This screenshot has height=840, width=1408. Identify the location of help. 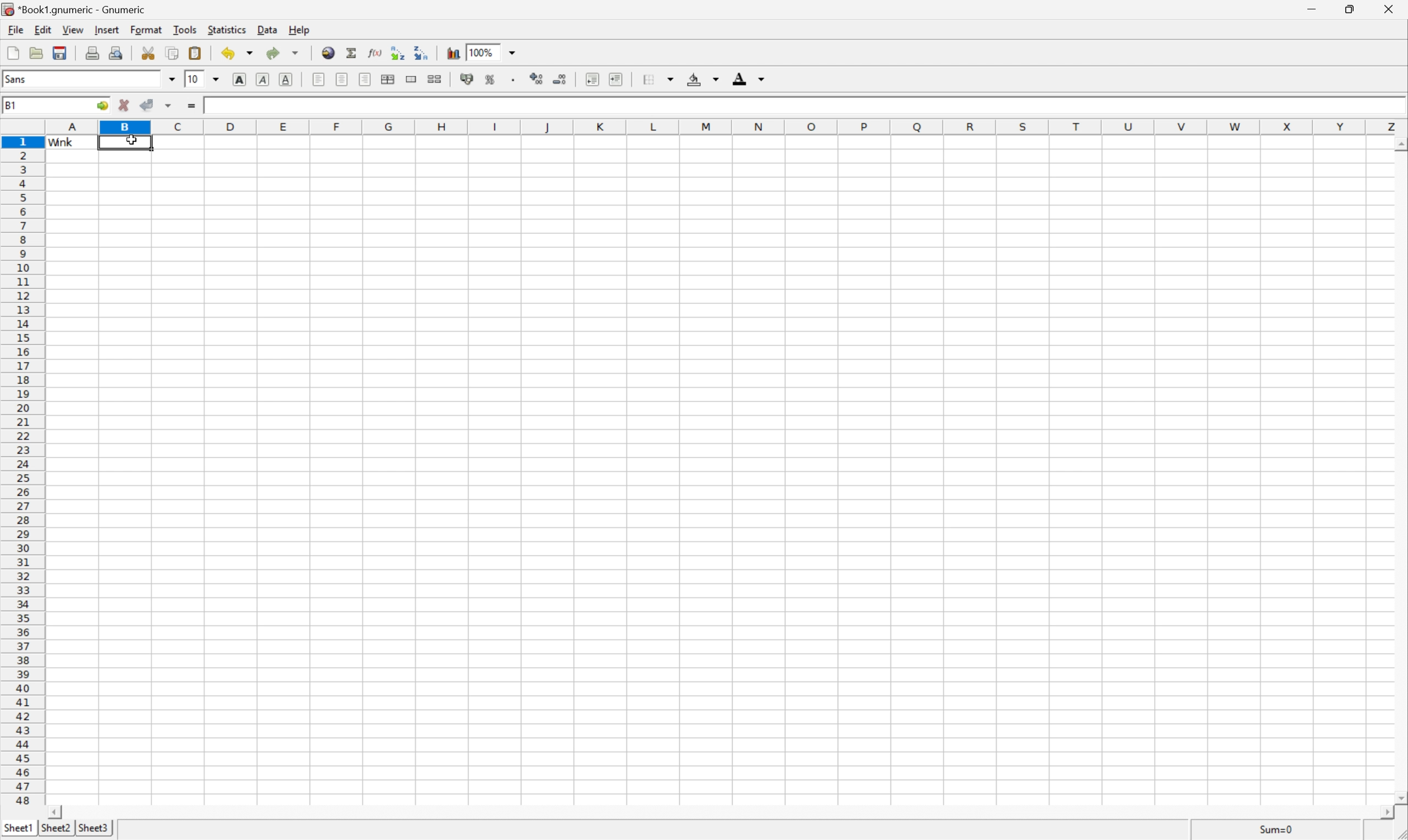
(299, 31).